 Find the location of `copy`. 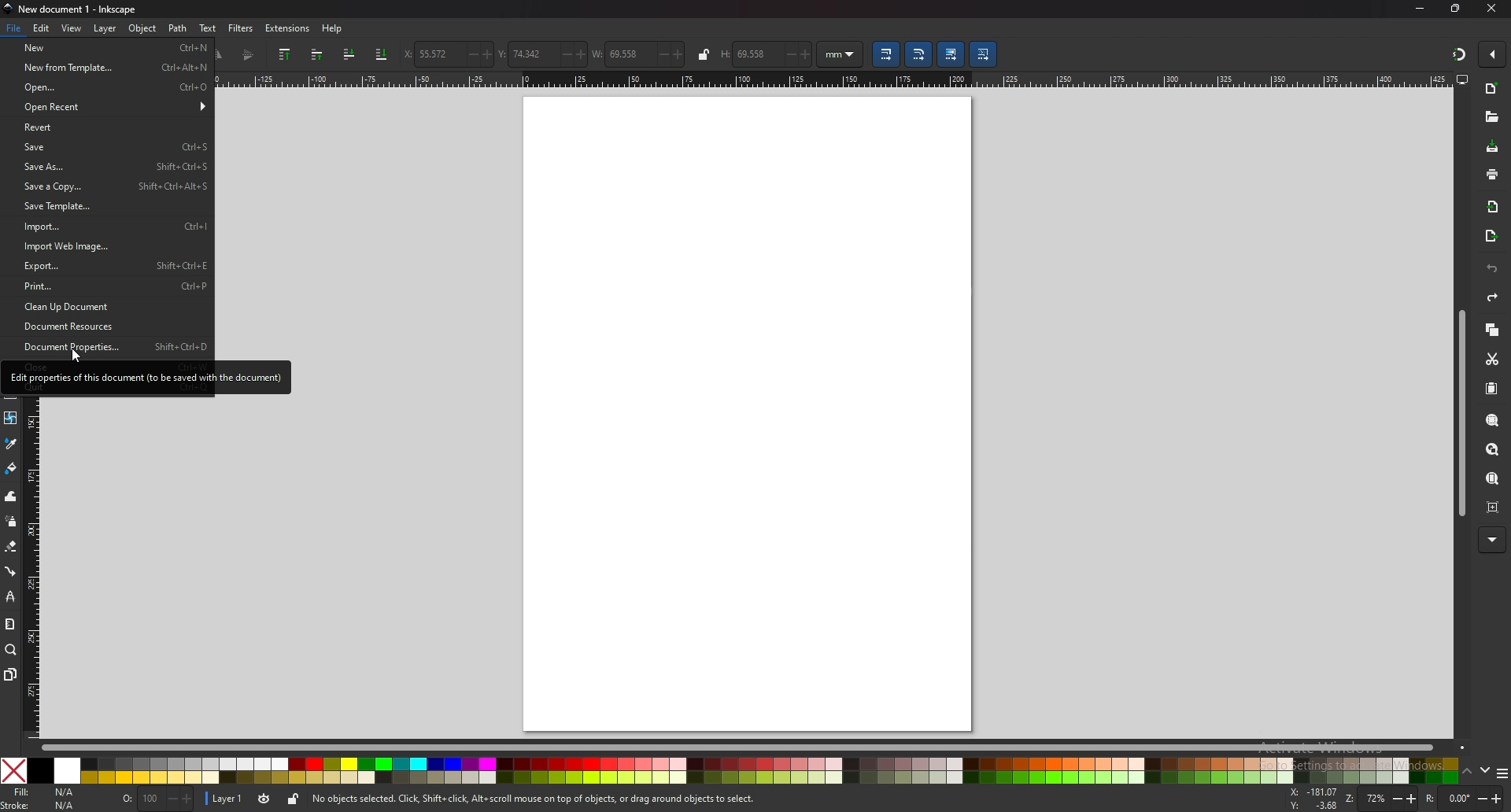

copy is located at coordinates (1493, 330).